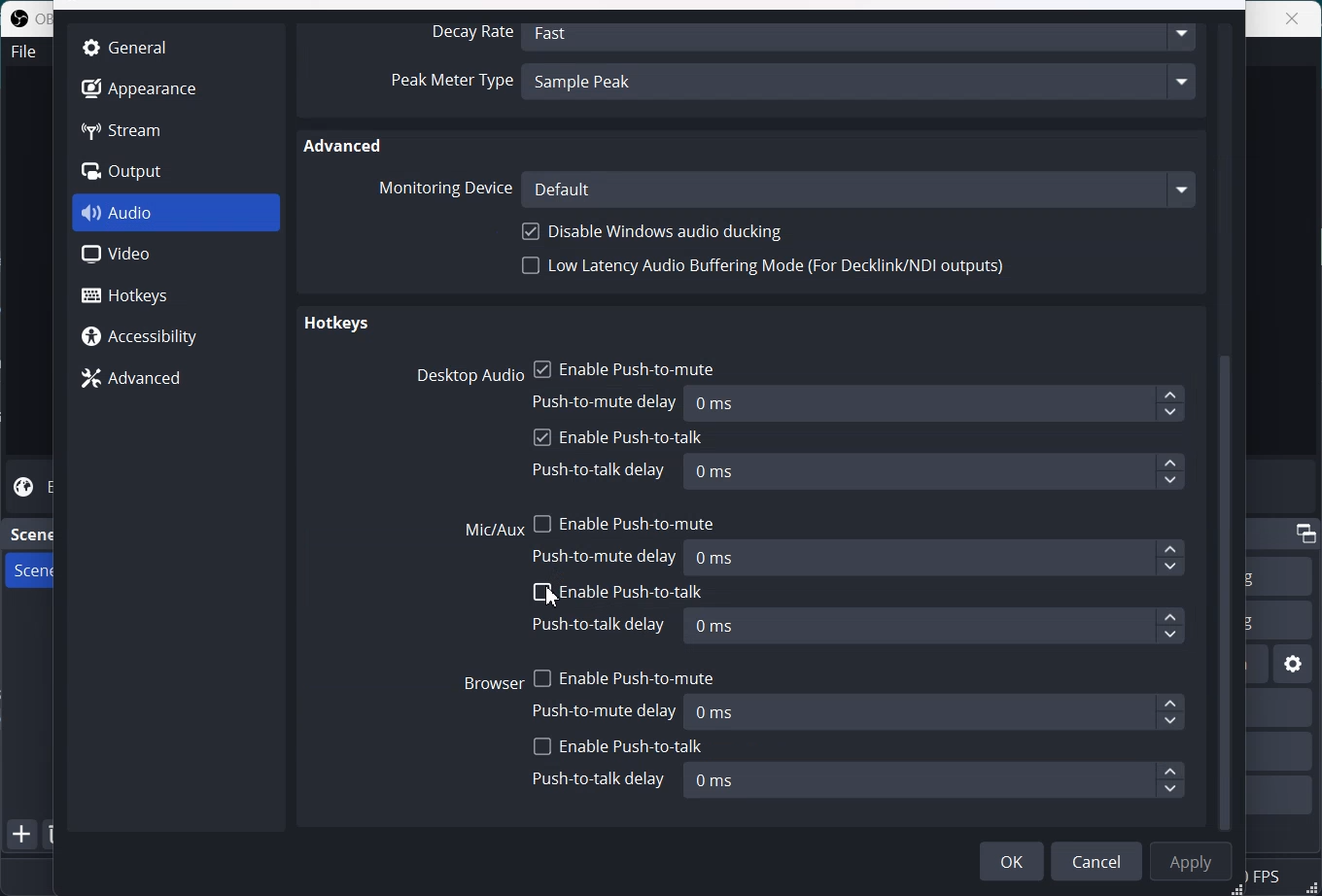 Image resolution: width=1322 pixels, height=896 pixels. I want to click on Hotkeys, so click(177, 293).